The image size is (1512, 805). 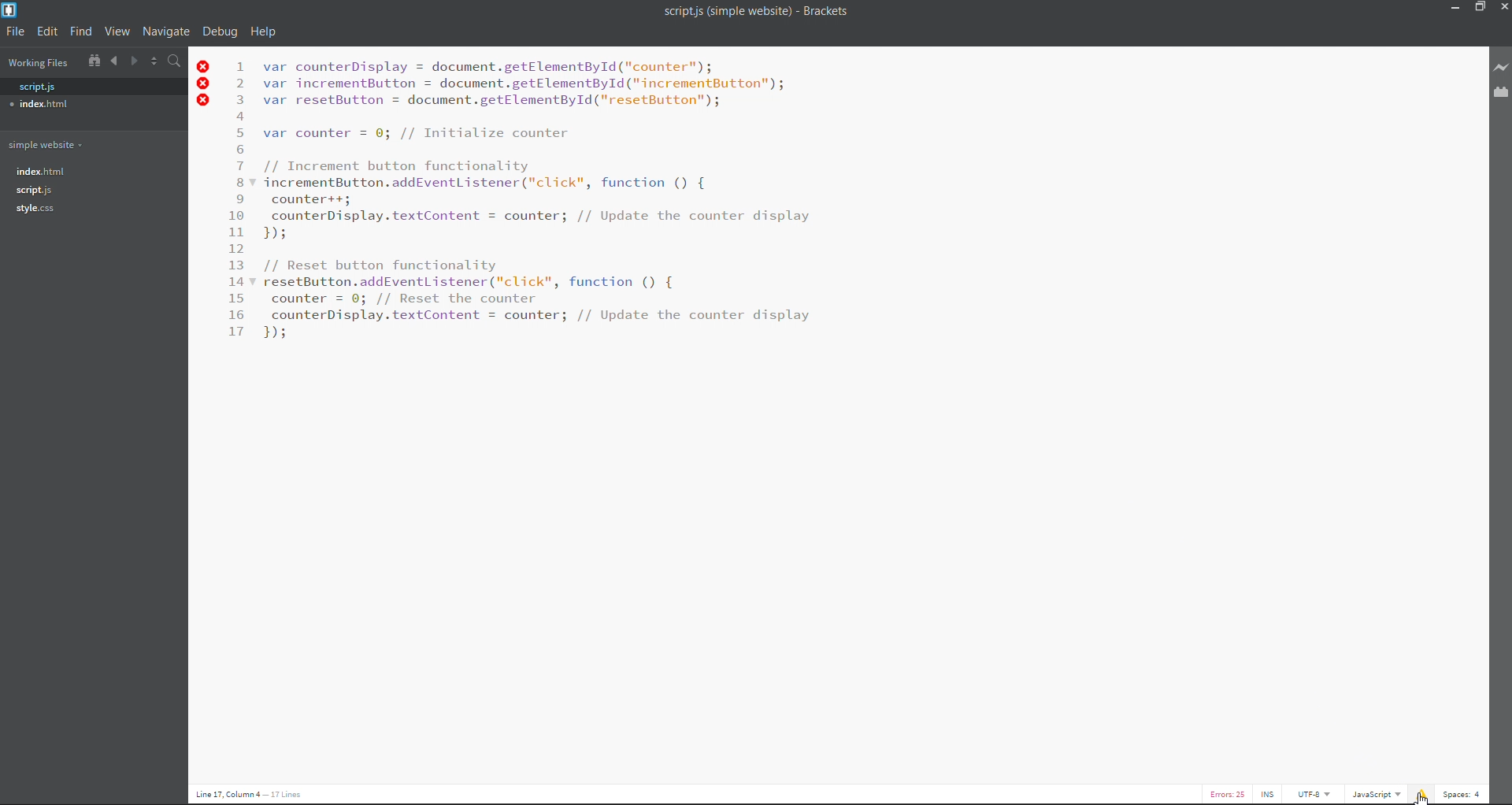 What do you see at coordinates (118, 32) in the screenshot?
I see `view` at bounding box center [118, 32].